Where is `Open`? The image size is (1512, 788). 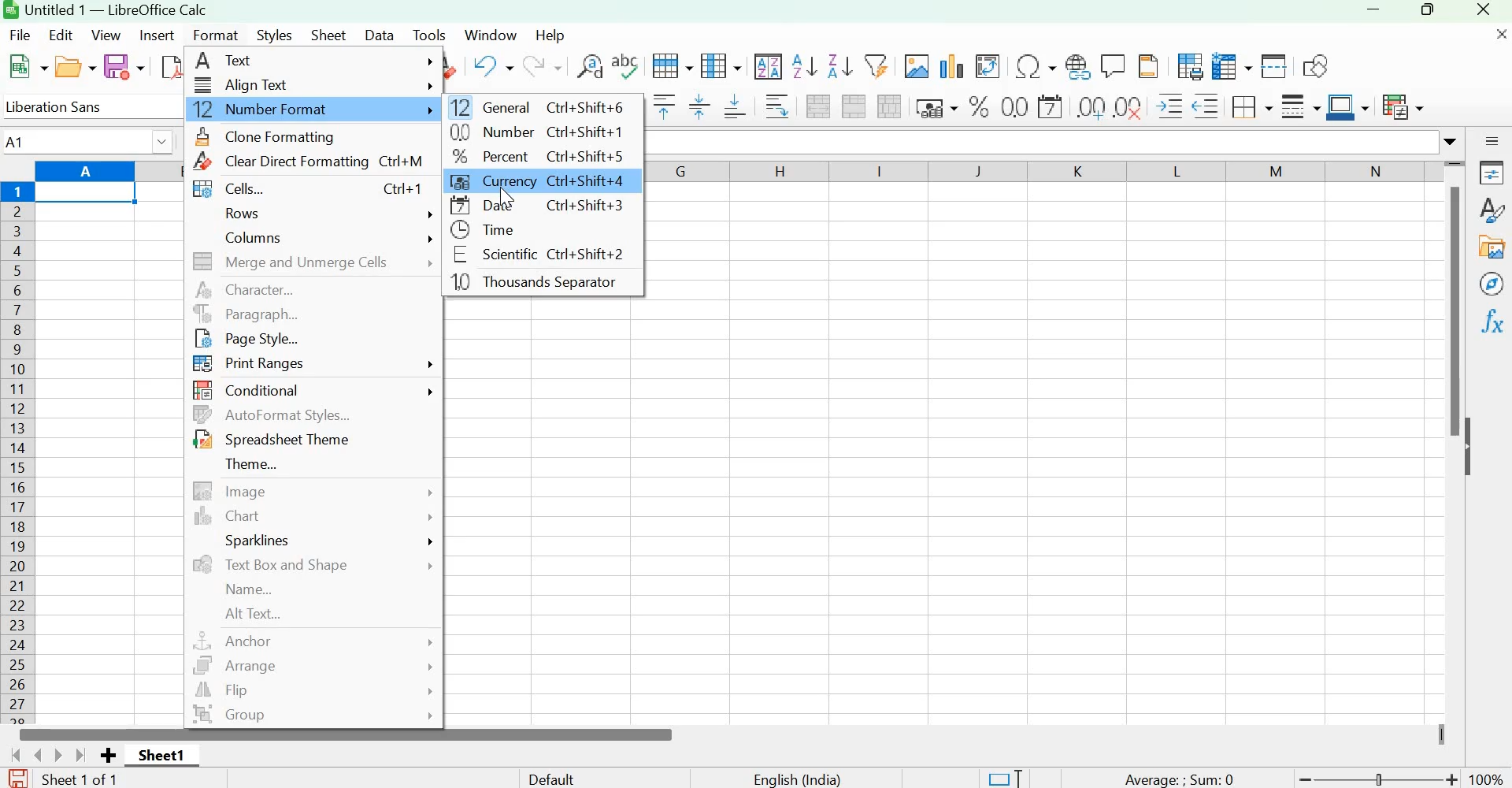 Open is located at coordinates (75, 67).